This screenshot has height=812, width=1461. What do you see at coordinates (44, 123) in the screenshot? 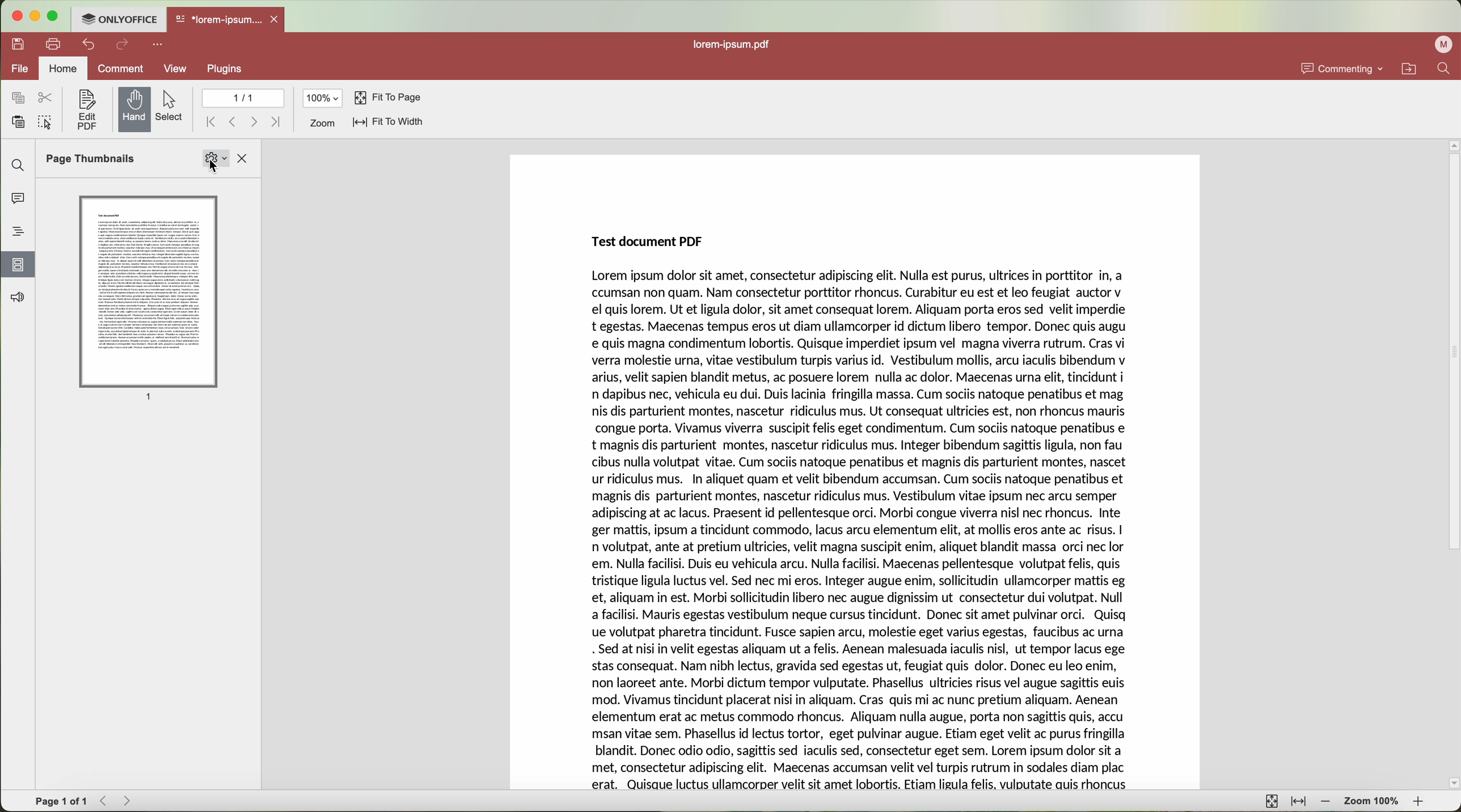
I see `select all` at bounding box center [44, 123].